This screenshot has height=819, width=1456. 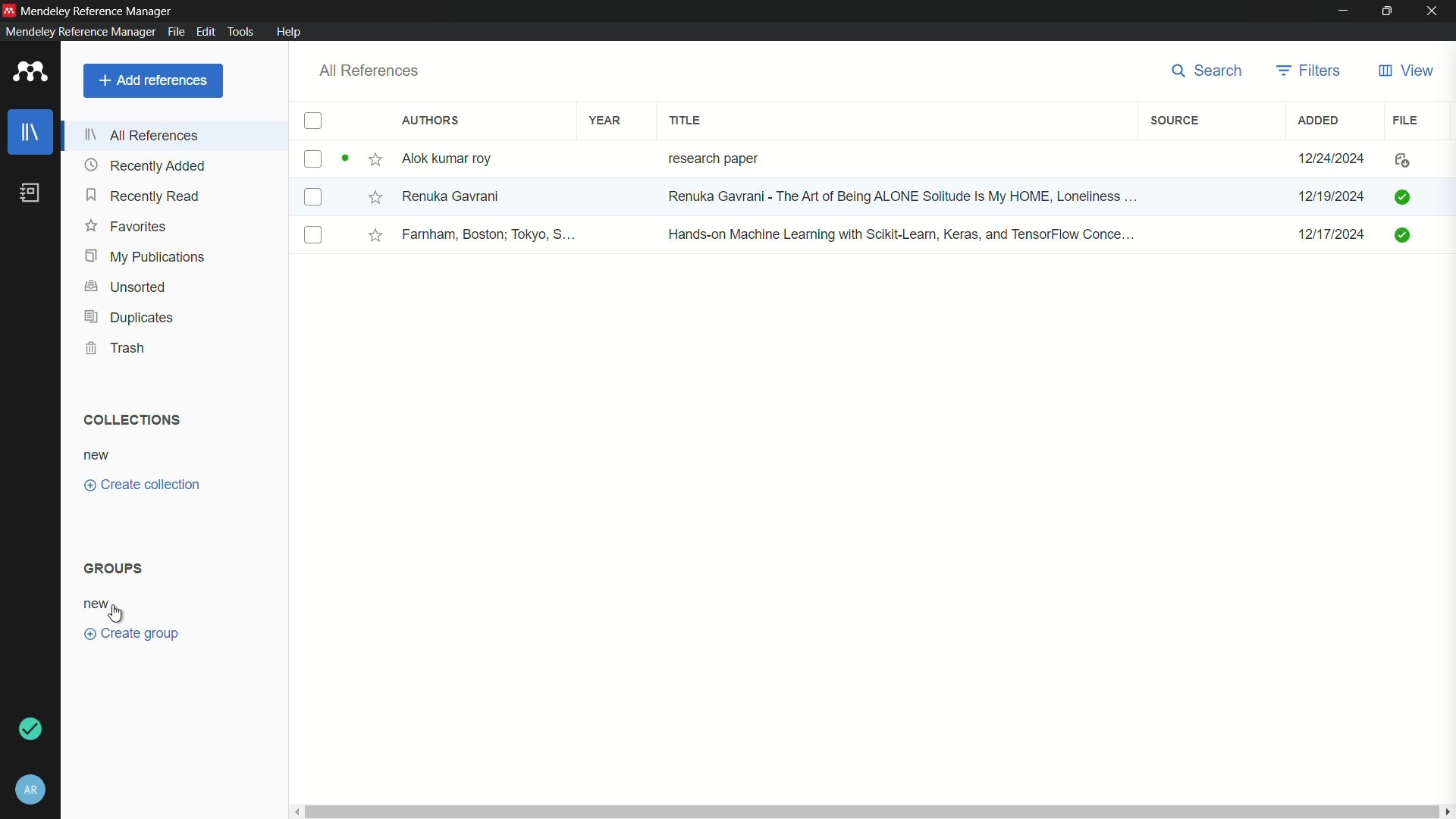 What do you see at coordinates (99, 9) in the screenshot?
I see `Mendeley Reference Manager` at bounding box center [99, 9].